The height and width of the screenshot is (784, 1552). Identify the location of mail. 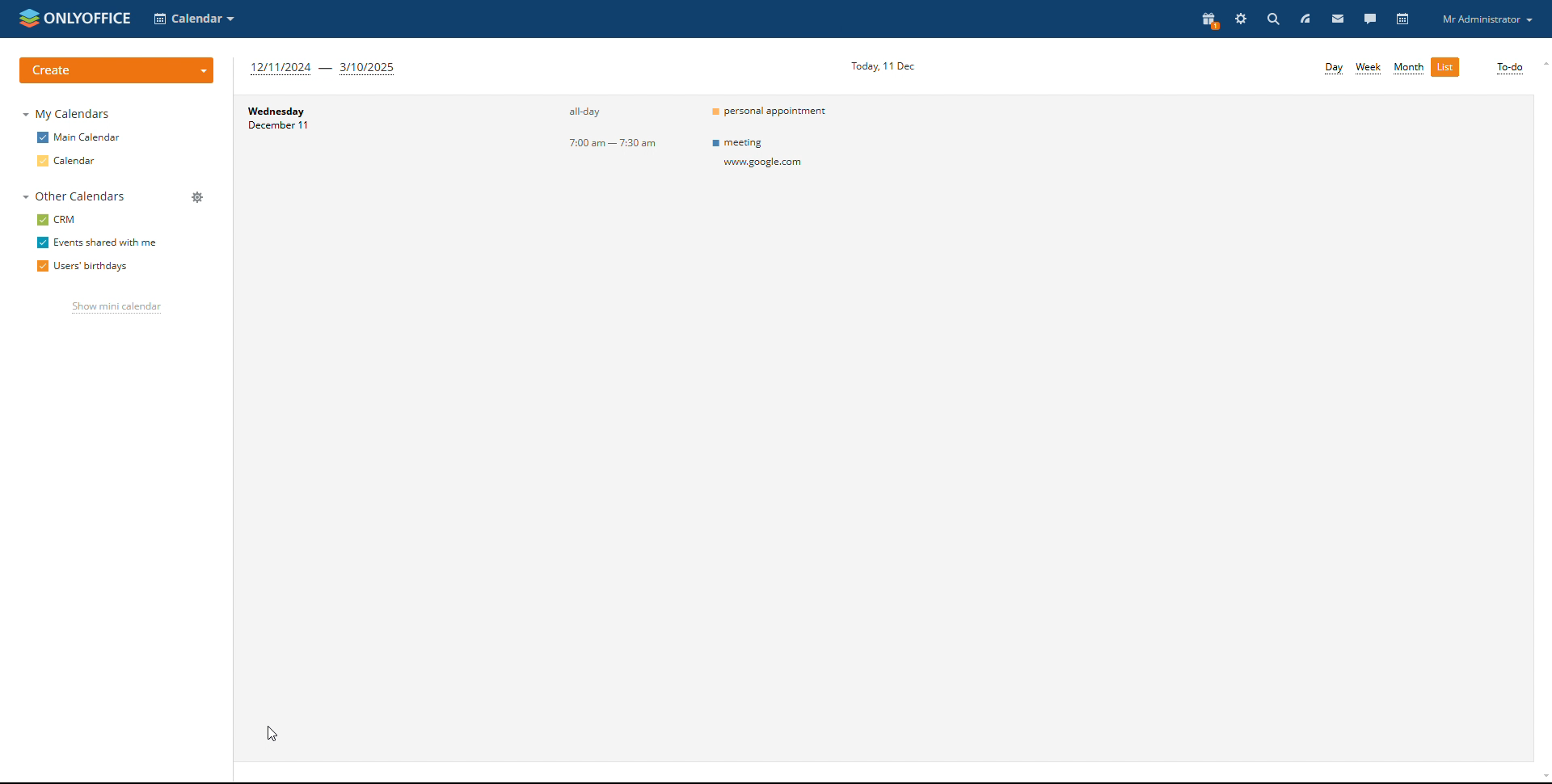
(1339, 18).